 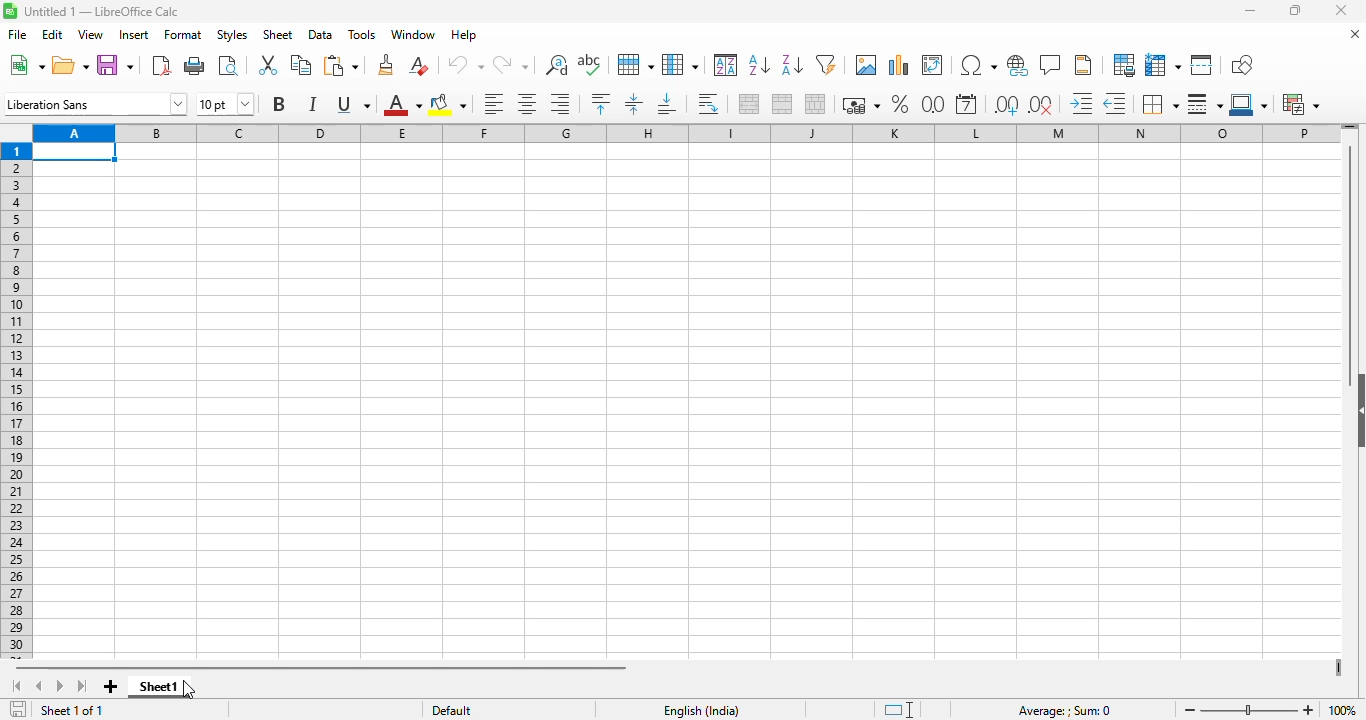 I want to click on data, so click(x=320, y=34).